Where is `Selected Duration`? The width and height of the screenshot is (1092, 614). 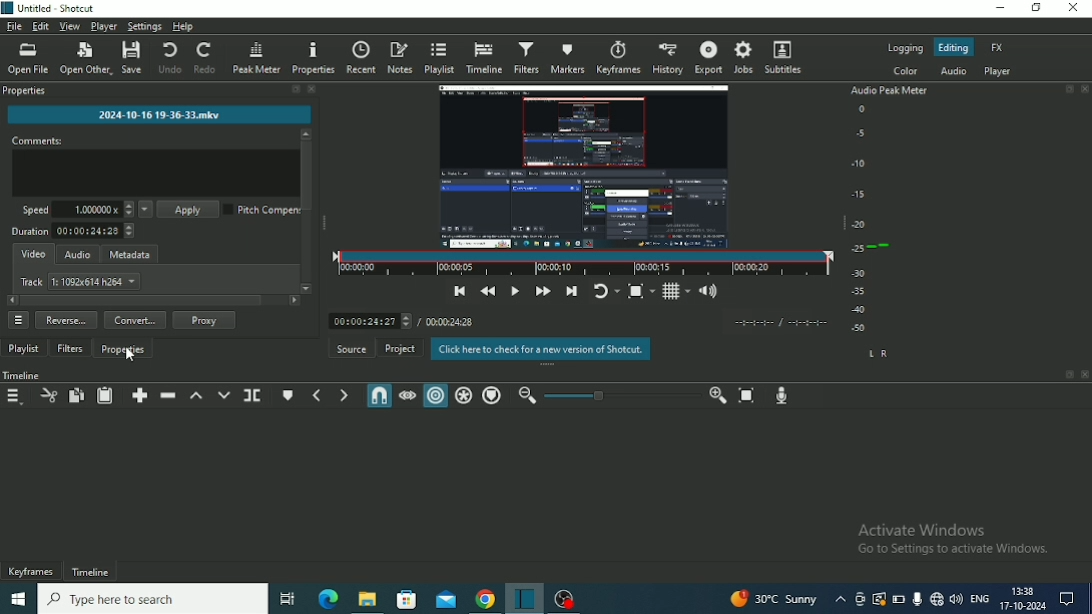
Selected Duration is located at coordinates (808, 323).